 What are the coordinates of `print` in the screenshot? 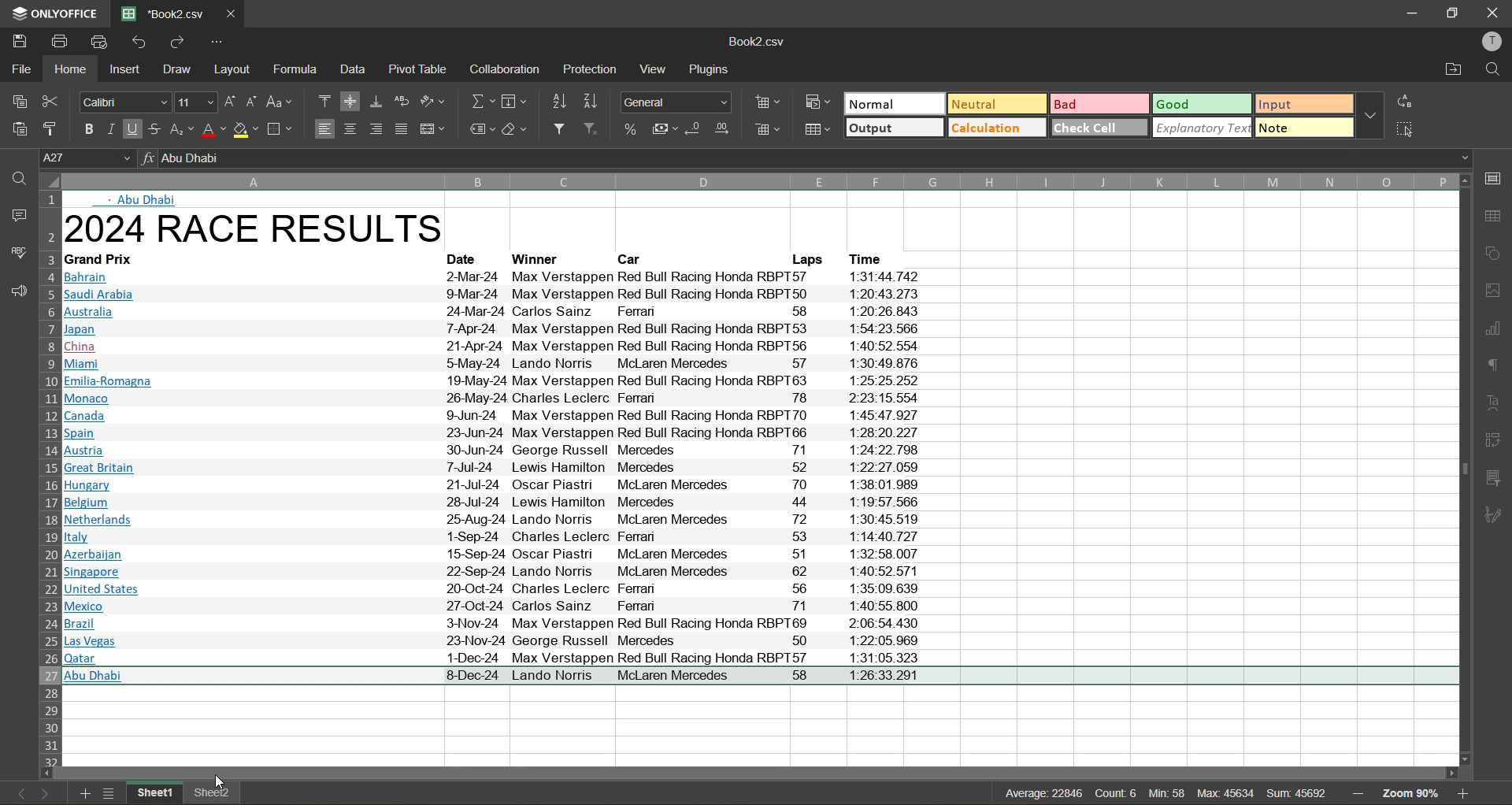 It's located at (59, 40).